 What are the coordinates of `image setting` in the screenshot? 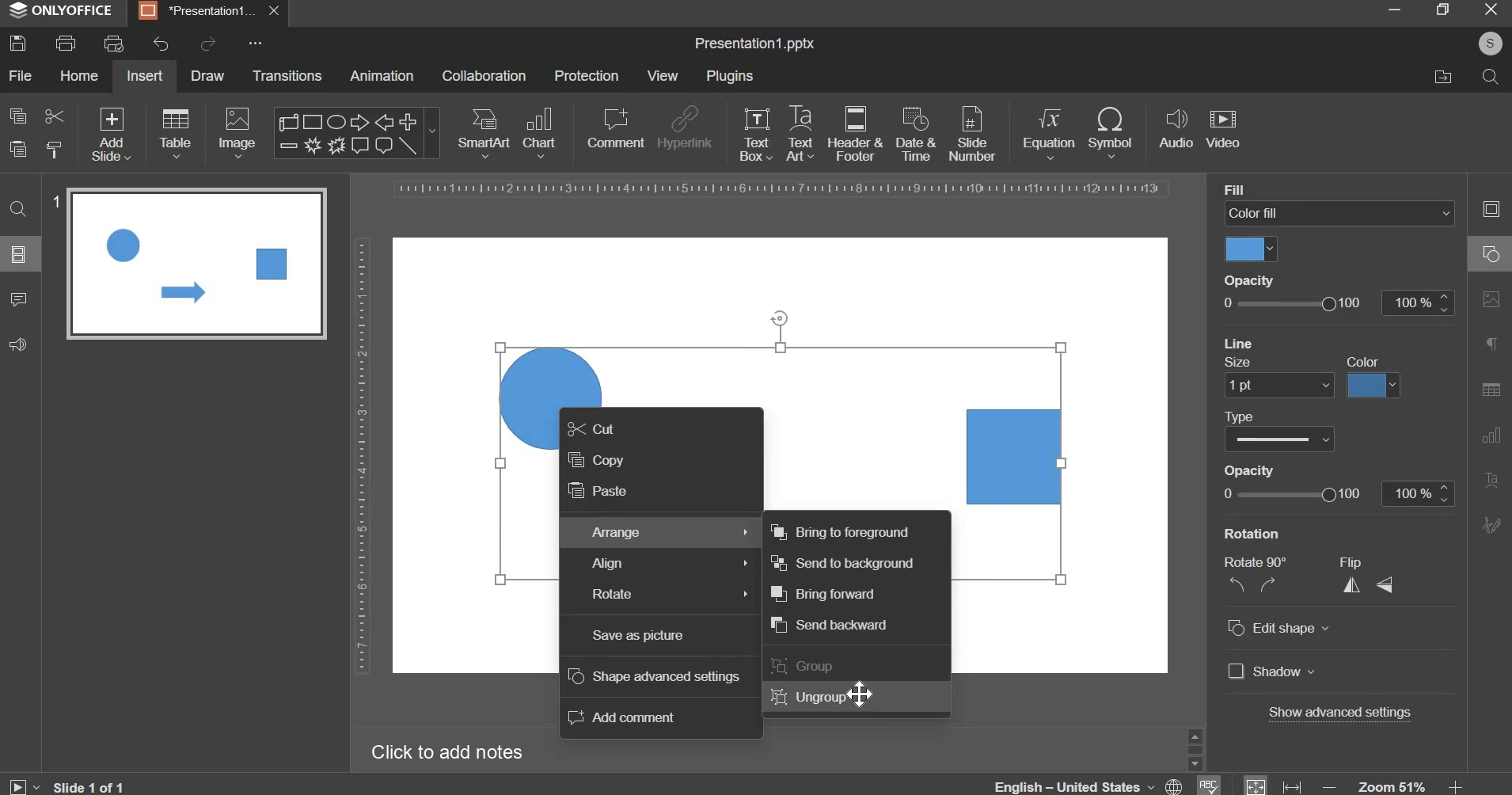 It's located at (1489, 296).